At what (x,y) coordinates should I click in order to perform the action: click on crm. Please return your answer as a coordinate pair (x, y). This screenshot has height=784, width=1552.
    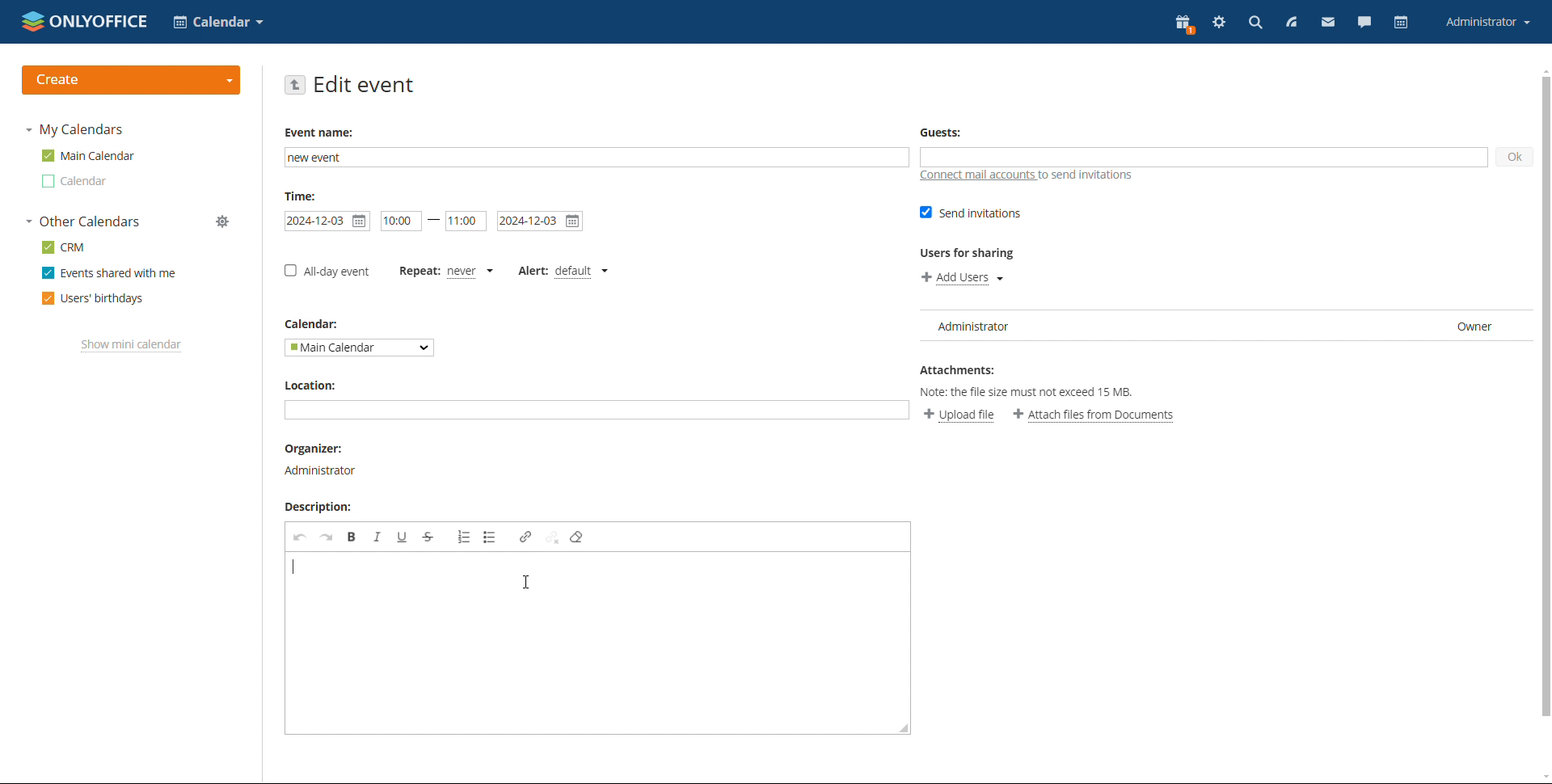
    Looking at the image, I should click on (64, 247).